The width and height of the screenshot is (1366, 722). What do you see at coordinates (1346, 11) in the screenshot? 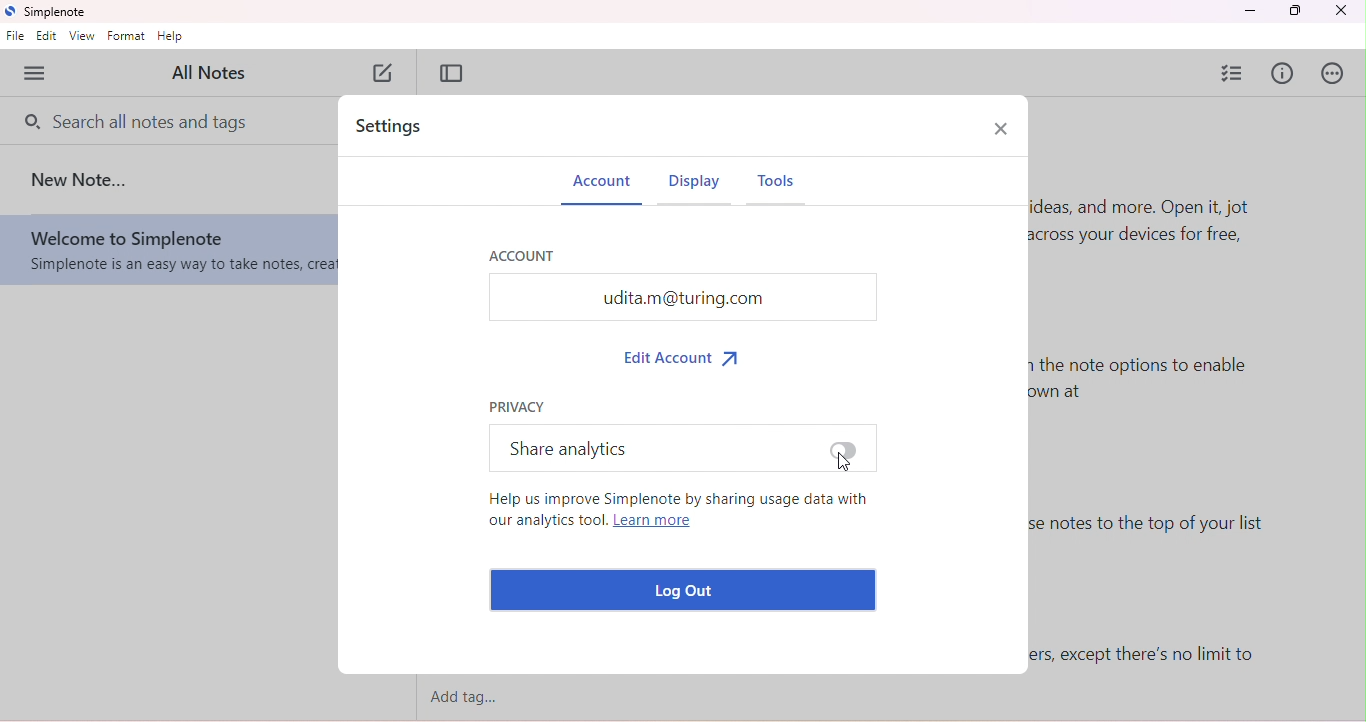
I see `close` at bounding box center [1346, 11].